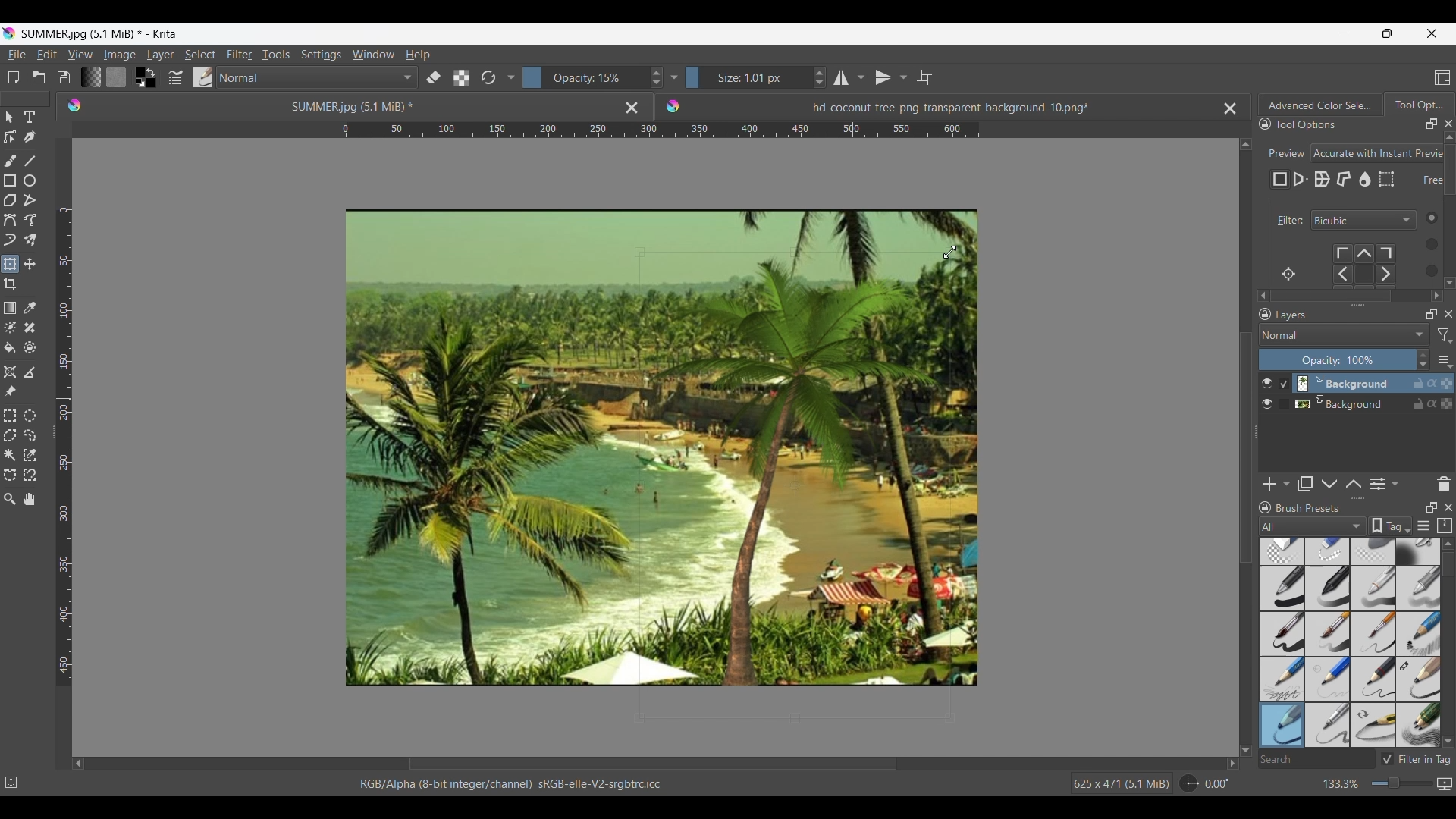 This screenshot has width=1456, height=819. What do you see at coordinates (418, 55) in the screenshot?
I see `Help` at bounding box center [418, 55].